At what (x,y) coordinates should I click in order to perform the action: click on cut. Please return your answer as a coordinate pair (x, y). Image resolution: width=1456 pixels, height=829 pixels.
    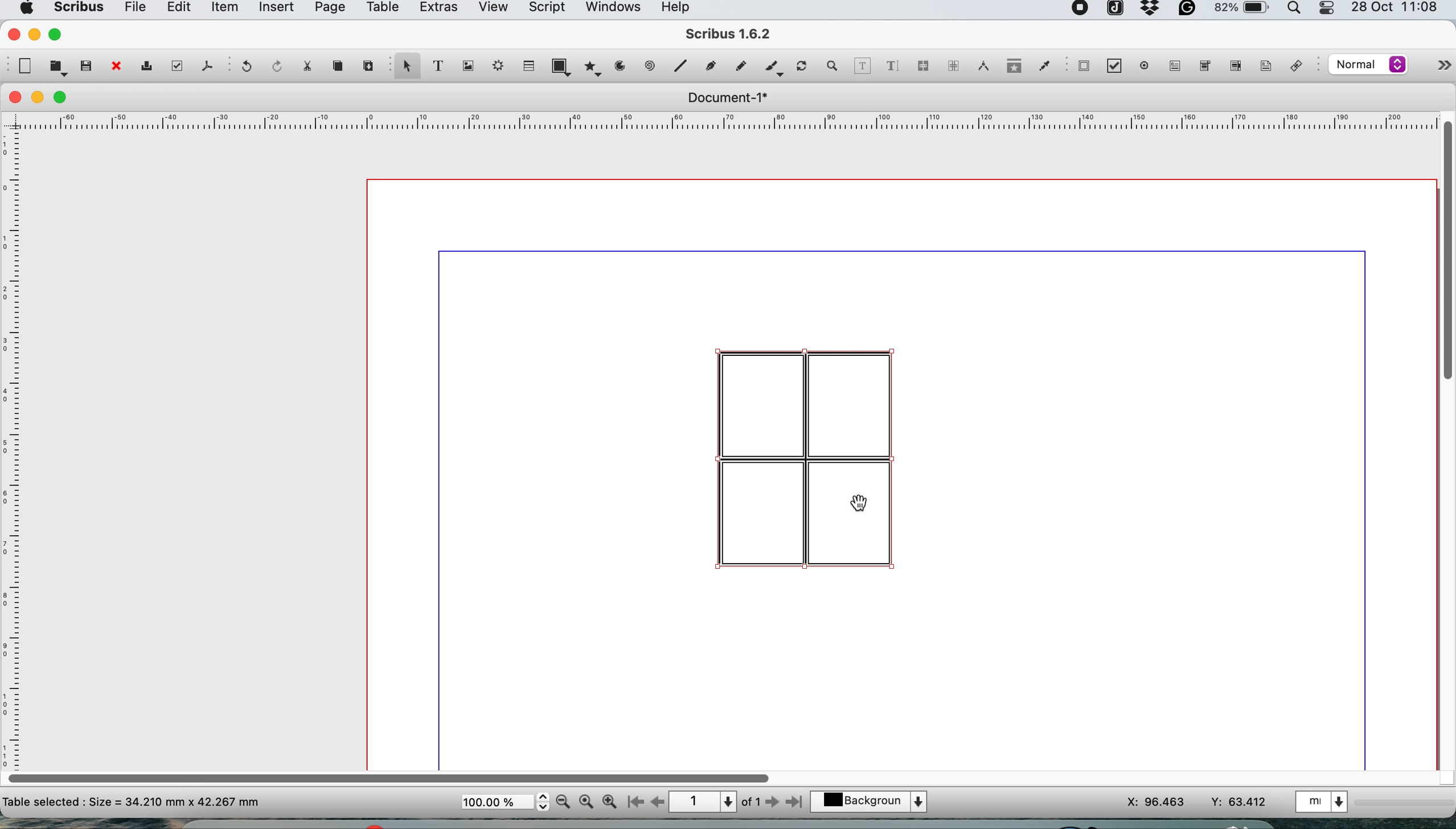
    Looking at the image, I should click on (306, 65).